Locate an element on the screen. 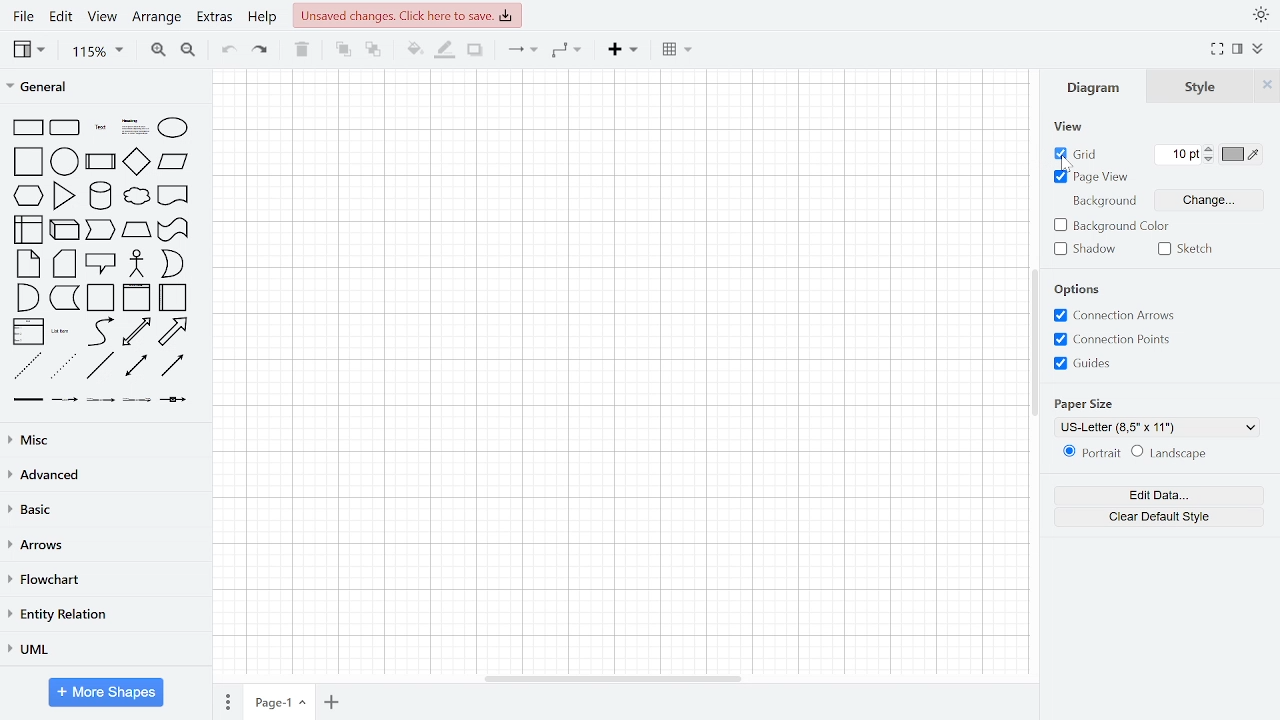 The height and width of the screenshot is (720, 1280). curve is located at coordinates (103, 332).